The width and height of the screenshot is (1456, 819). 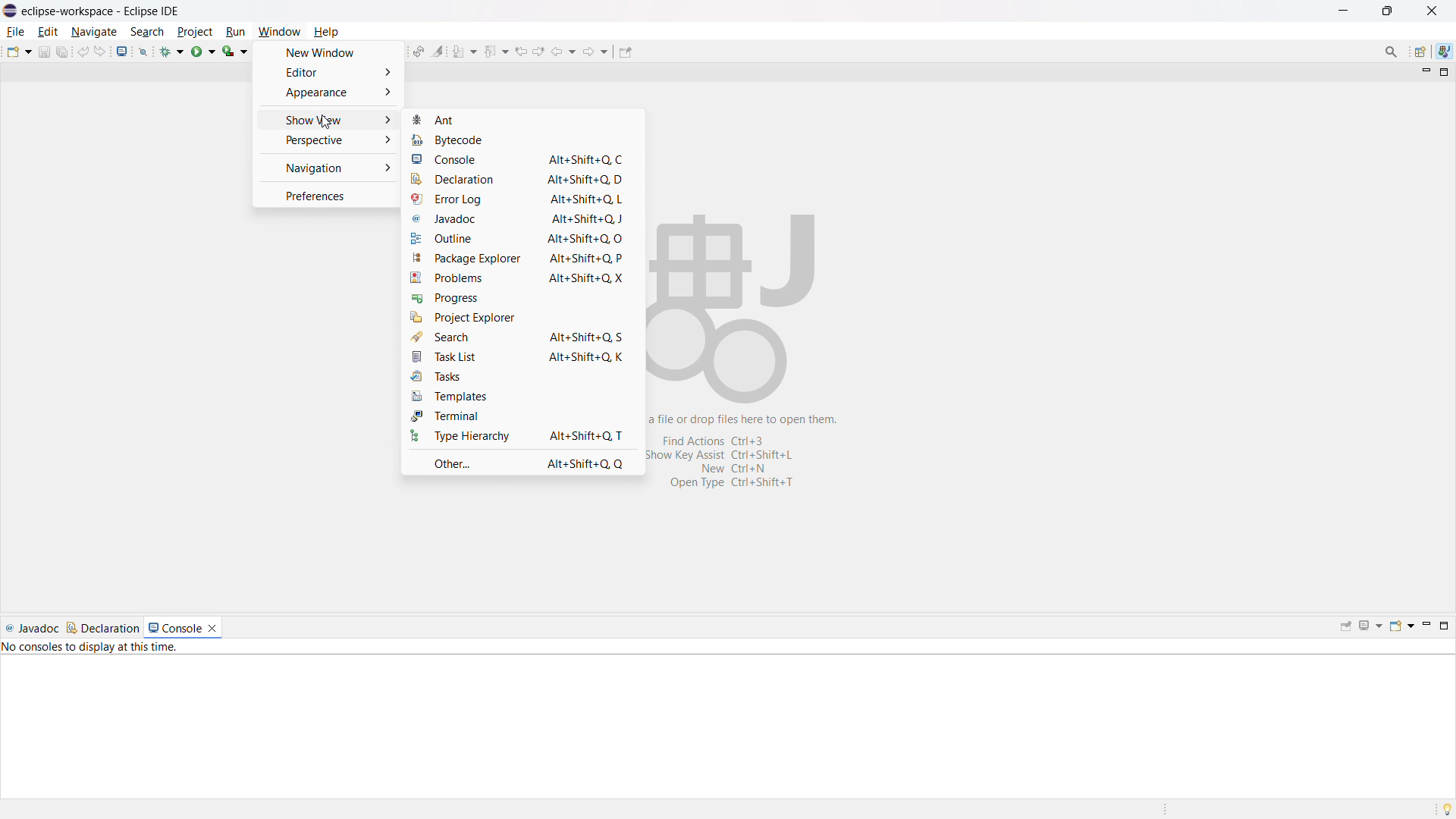 I want to click on next annotation, so click(x=466, y=51).